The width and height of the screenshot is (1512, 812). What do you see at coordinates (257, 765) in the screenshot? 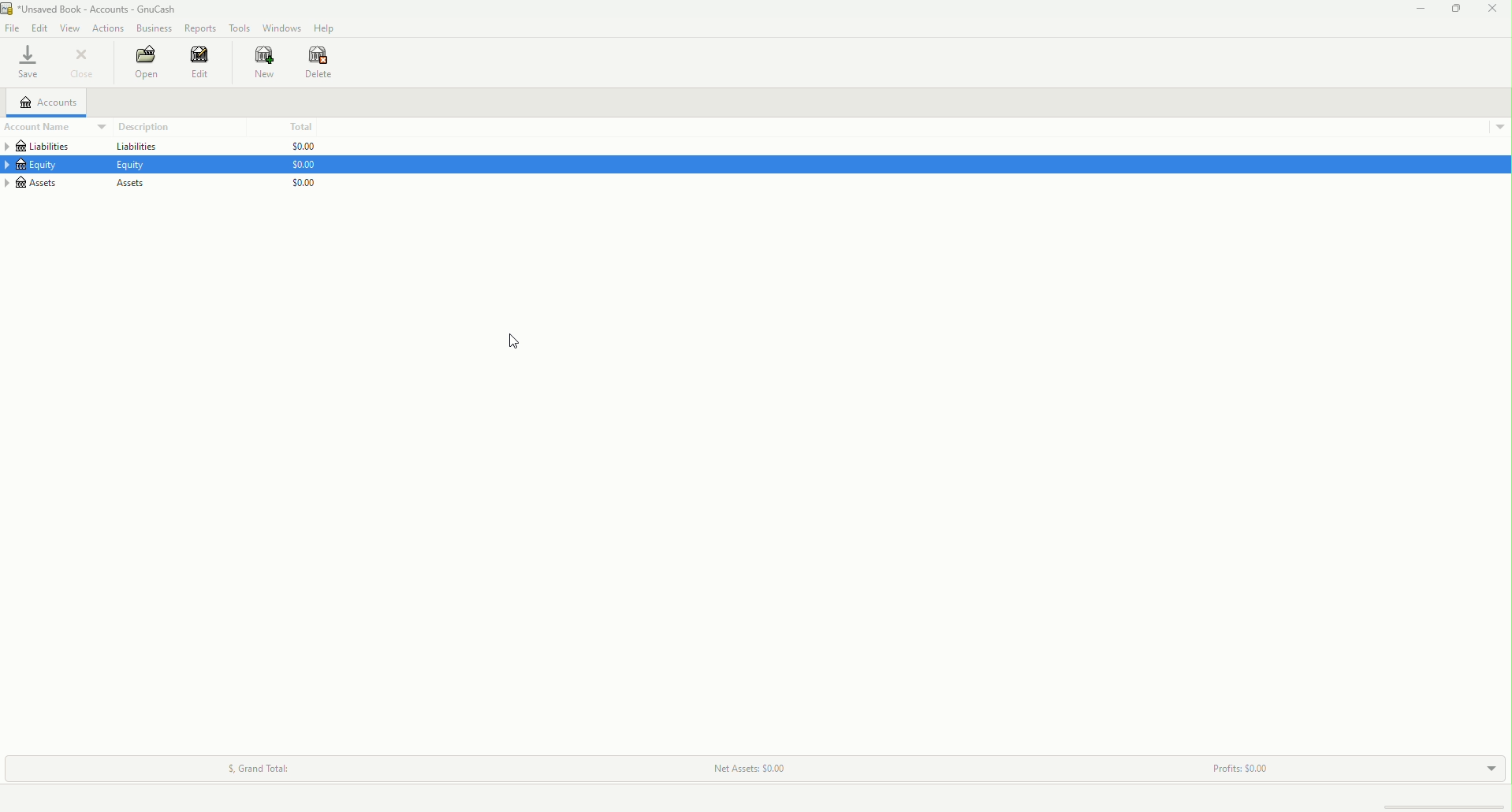
I see `Grand Total` at bounding box center [257, 765].